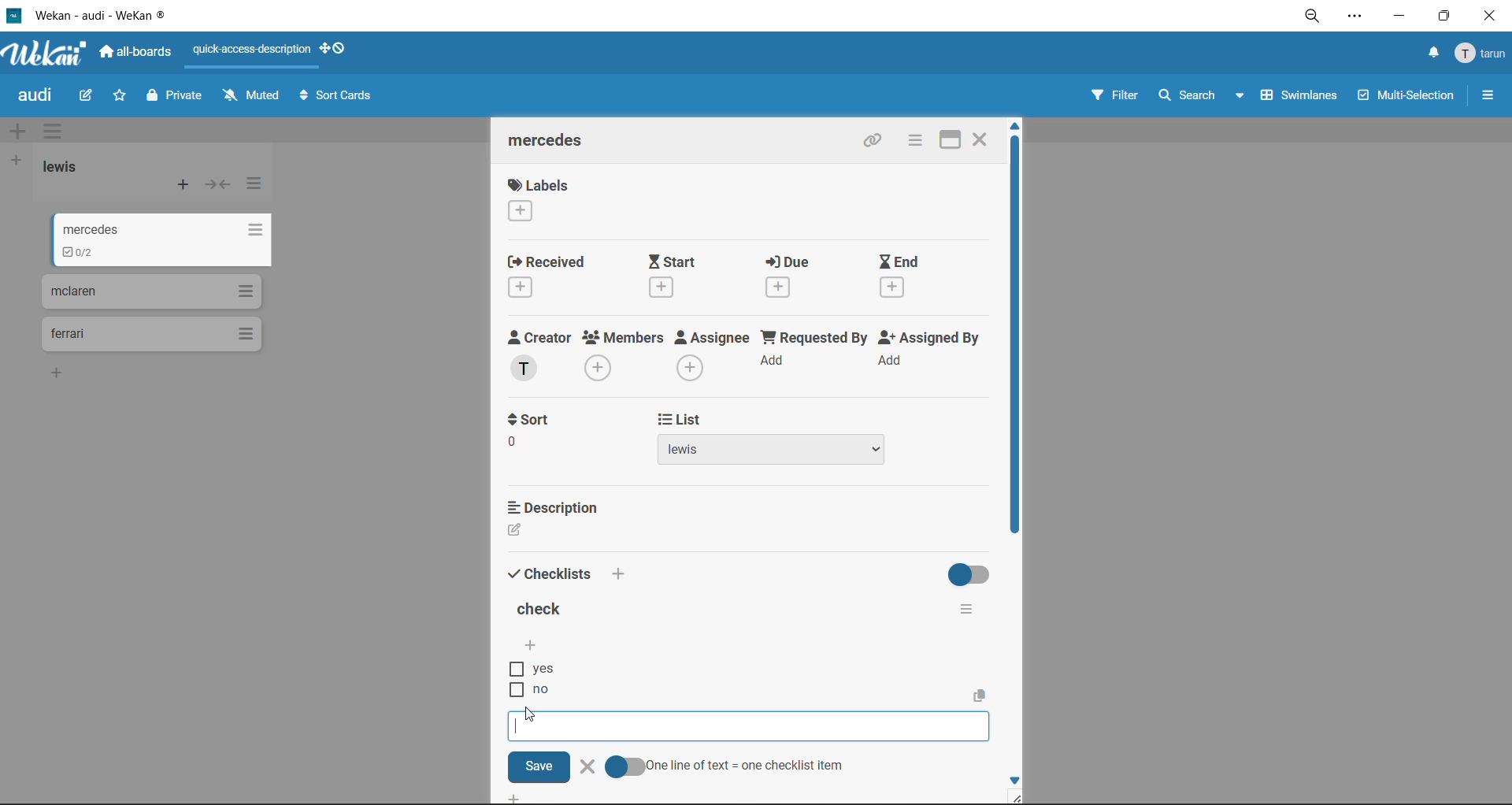 The image size is (1512, 805). Describe the element at coordinates (87, 224) in the screenshot. I see `mercedes` at that location.